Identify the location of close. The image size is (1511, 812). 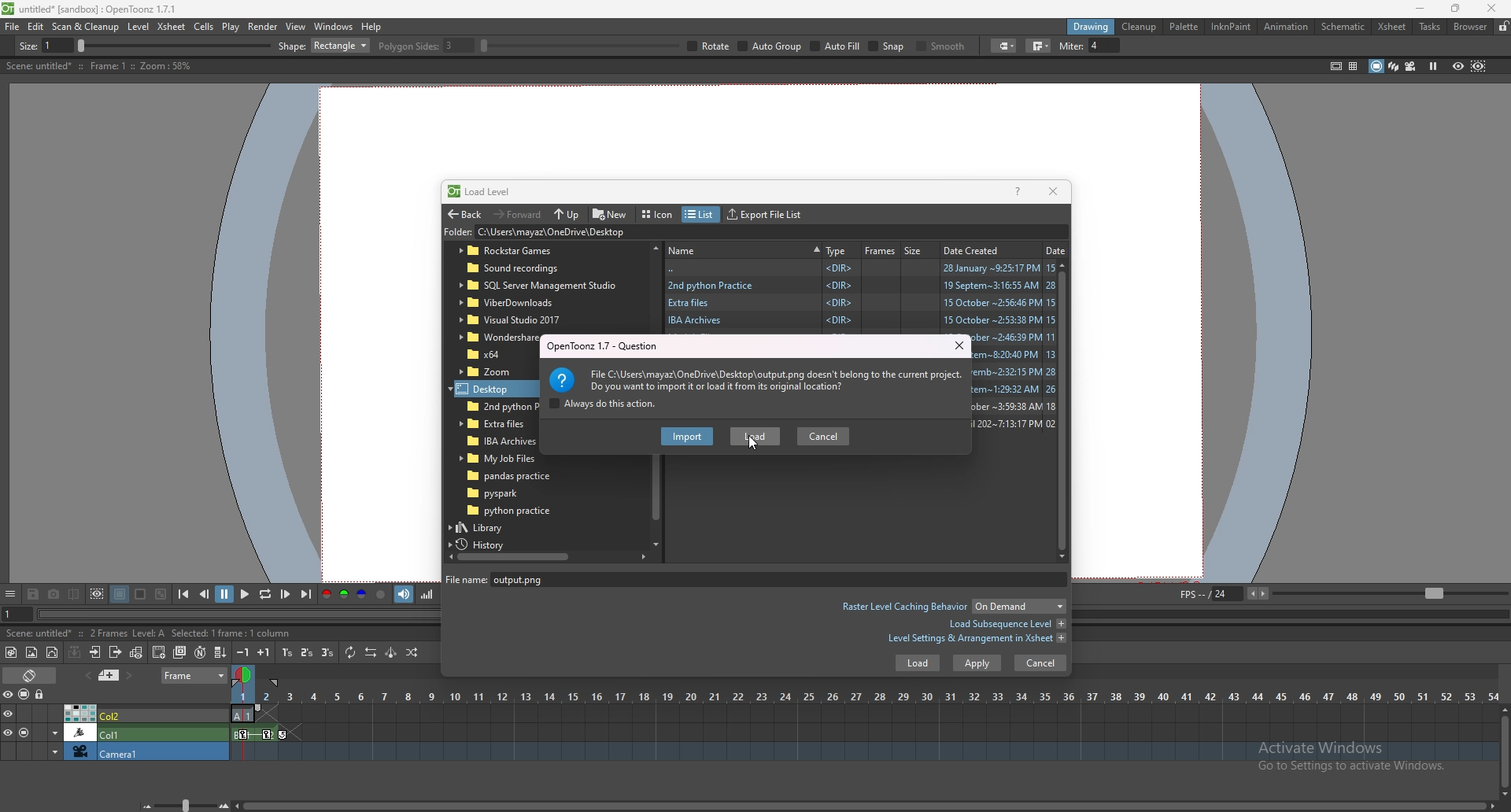
(1489, 8).